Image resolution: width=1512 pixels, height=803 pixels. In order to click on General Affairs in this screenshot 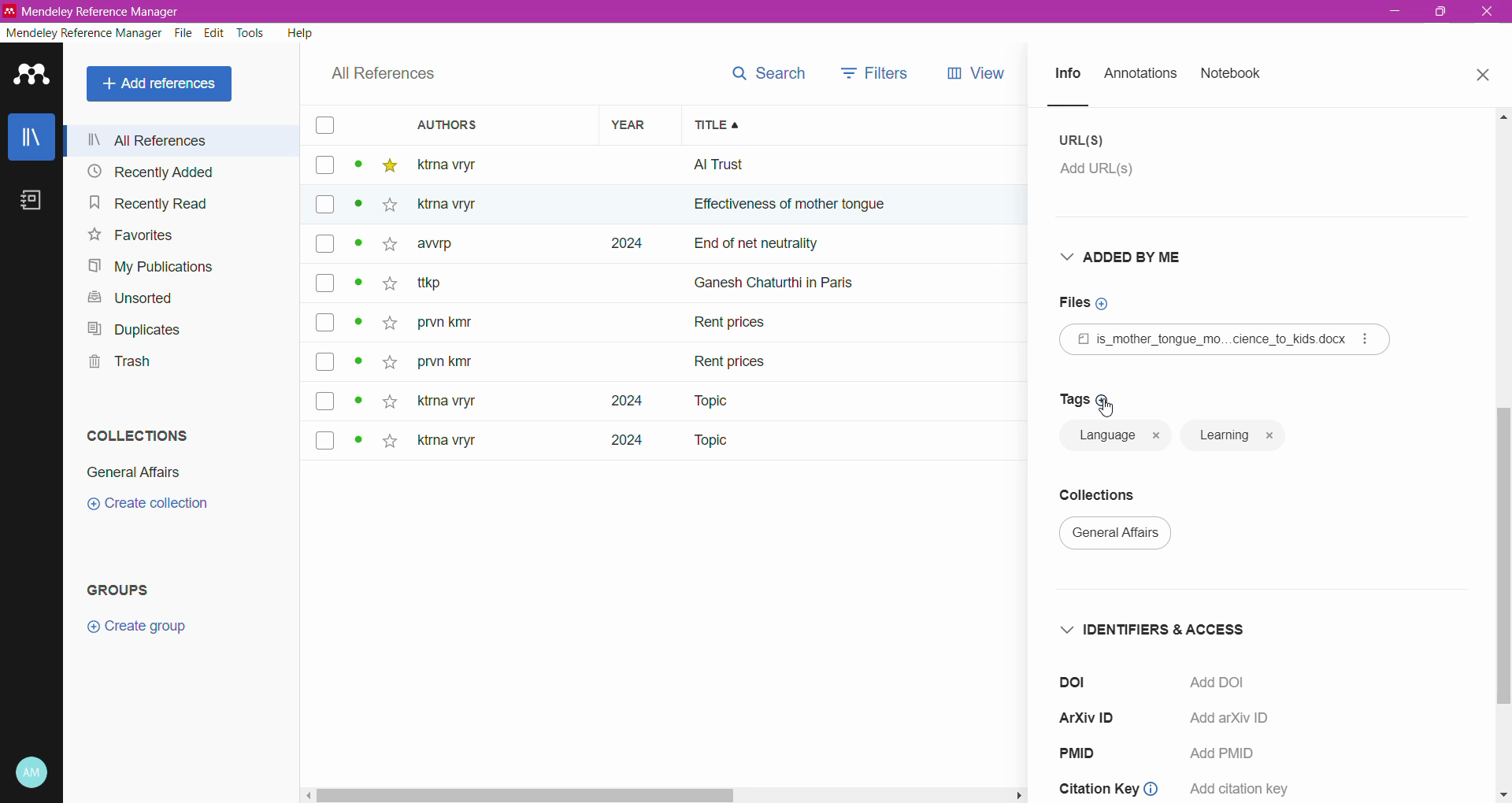, I will do `click(134, 472)`.